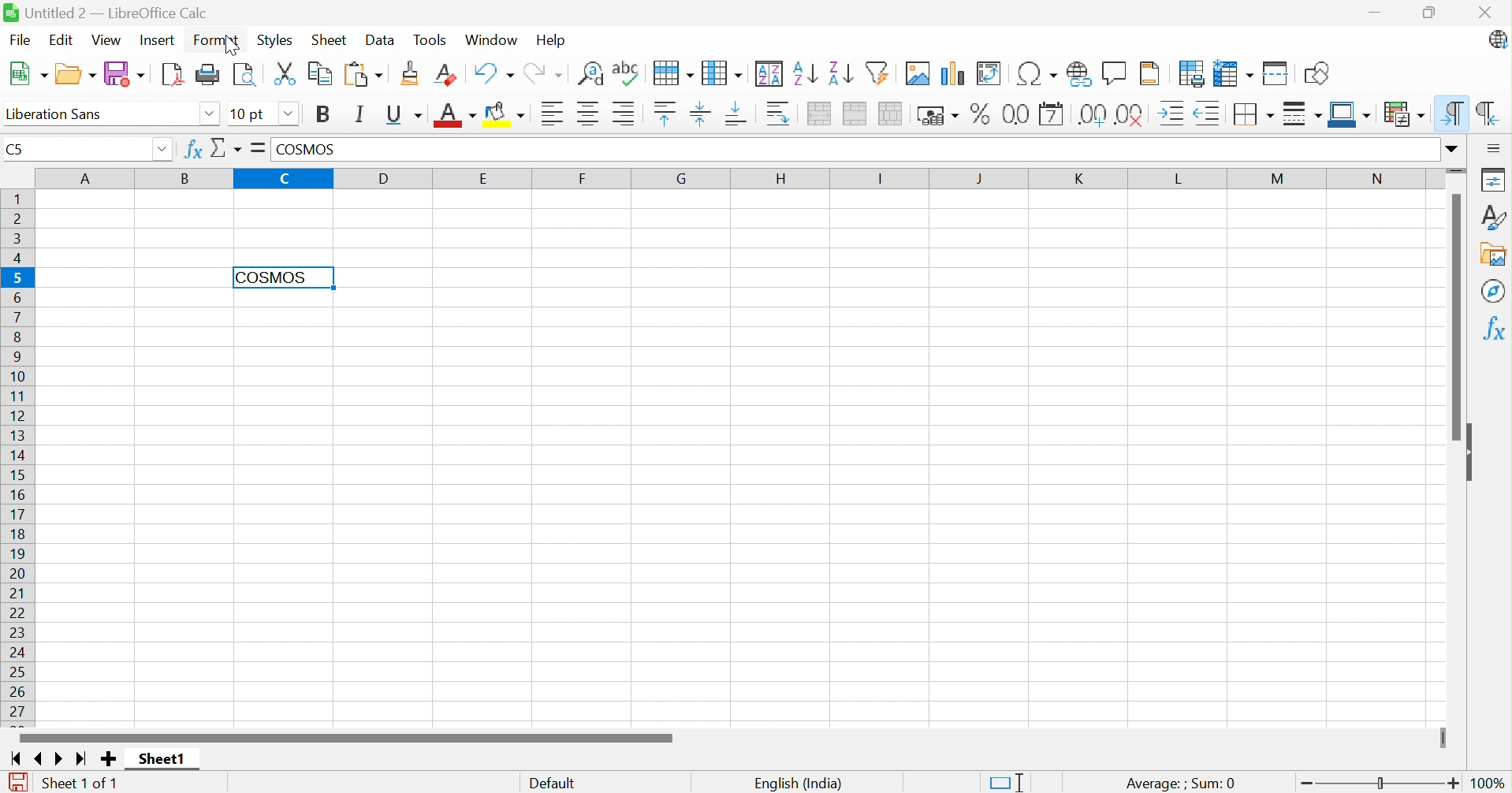  I want to click on Check Spelling, so click(631, 69).